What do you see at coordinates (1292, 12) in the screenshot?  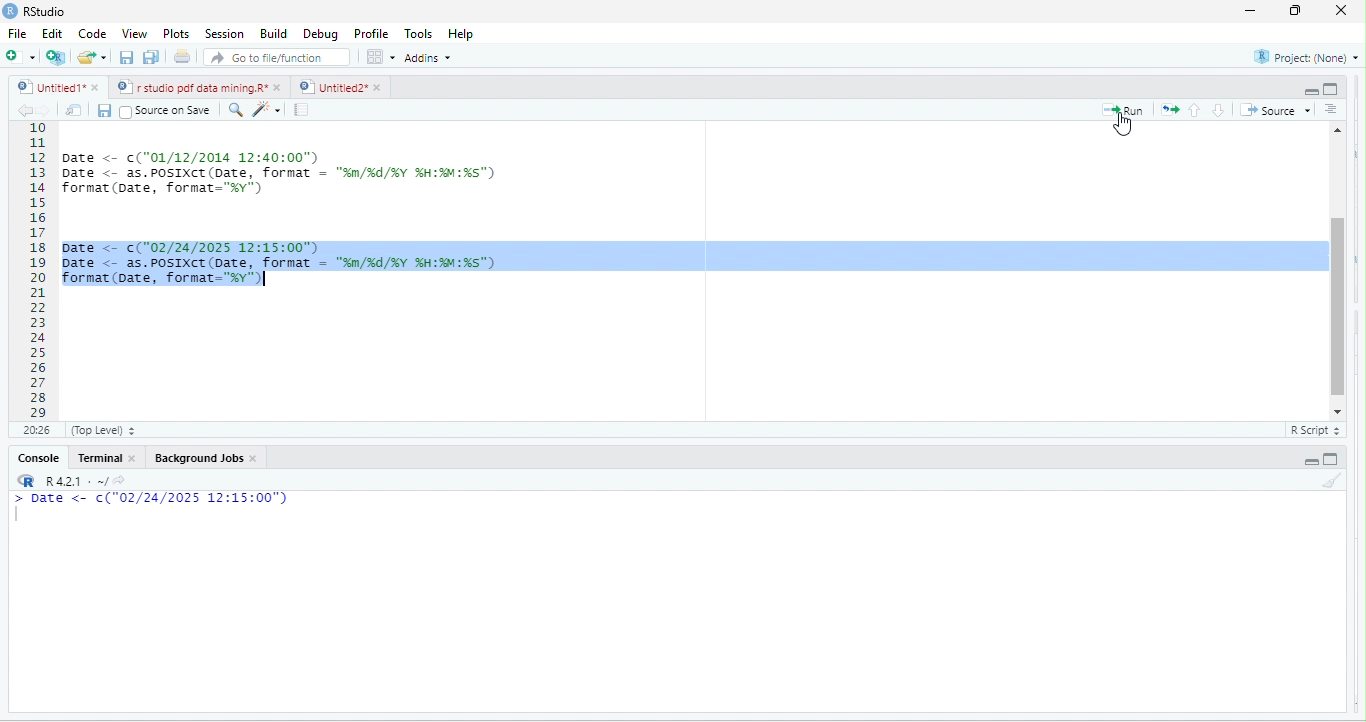 I see `maximize` at bounding box center [1292, 12].